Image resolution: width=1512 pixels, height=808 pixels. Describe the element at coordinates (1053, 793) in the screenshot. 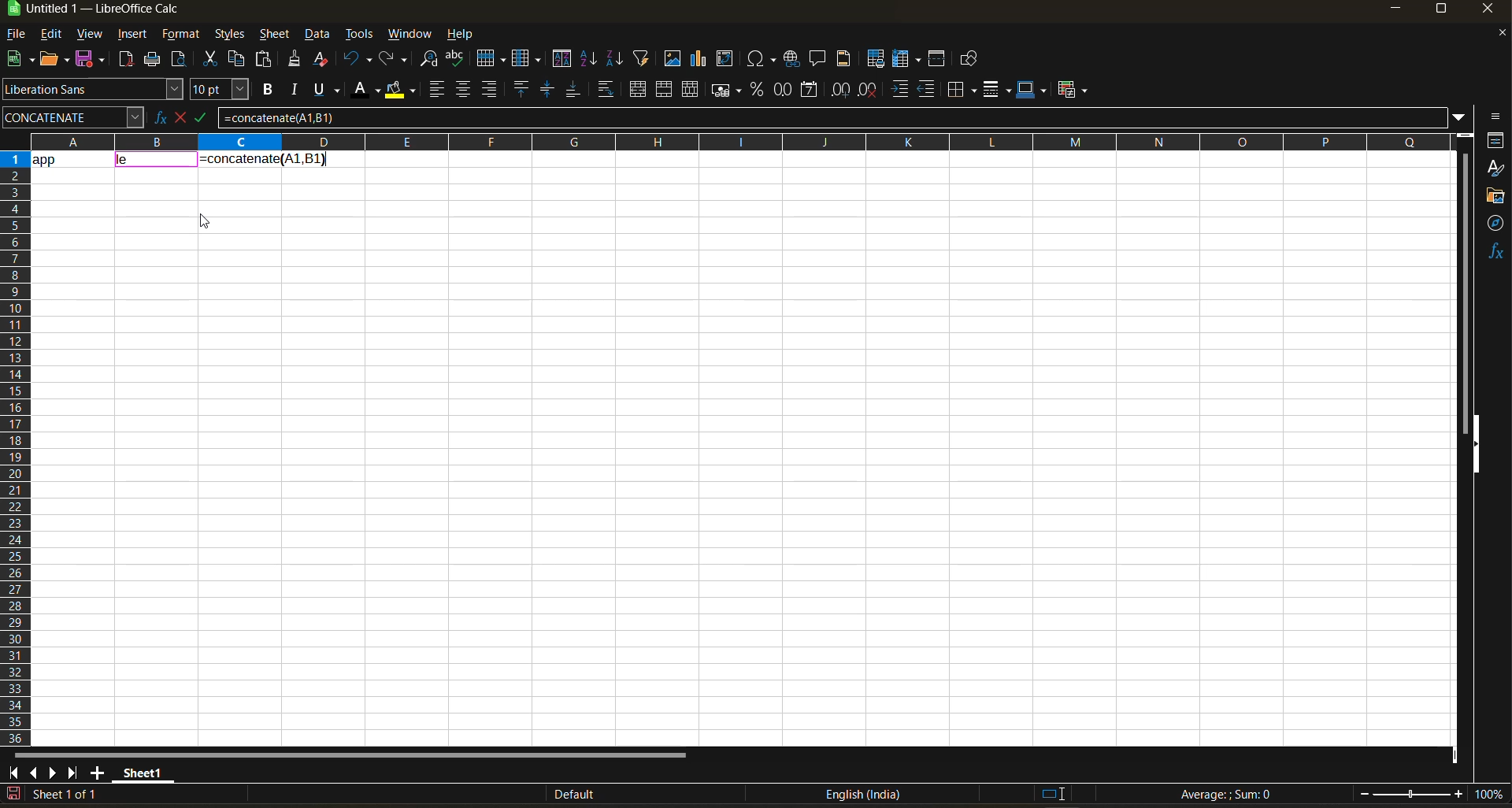

I see `standard selection` at that location.